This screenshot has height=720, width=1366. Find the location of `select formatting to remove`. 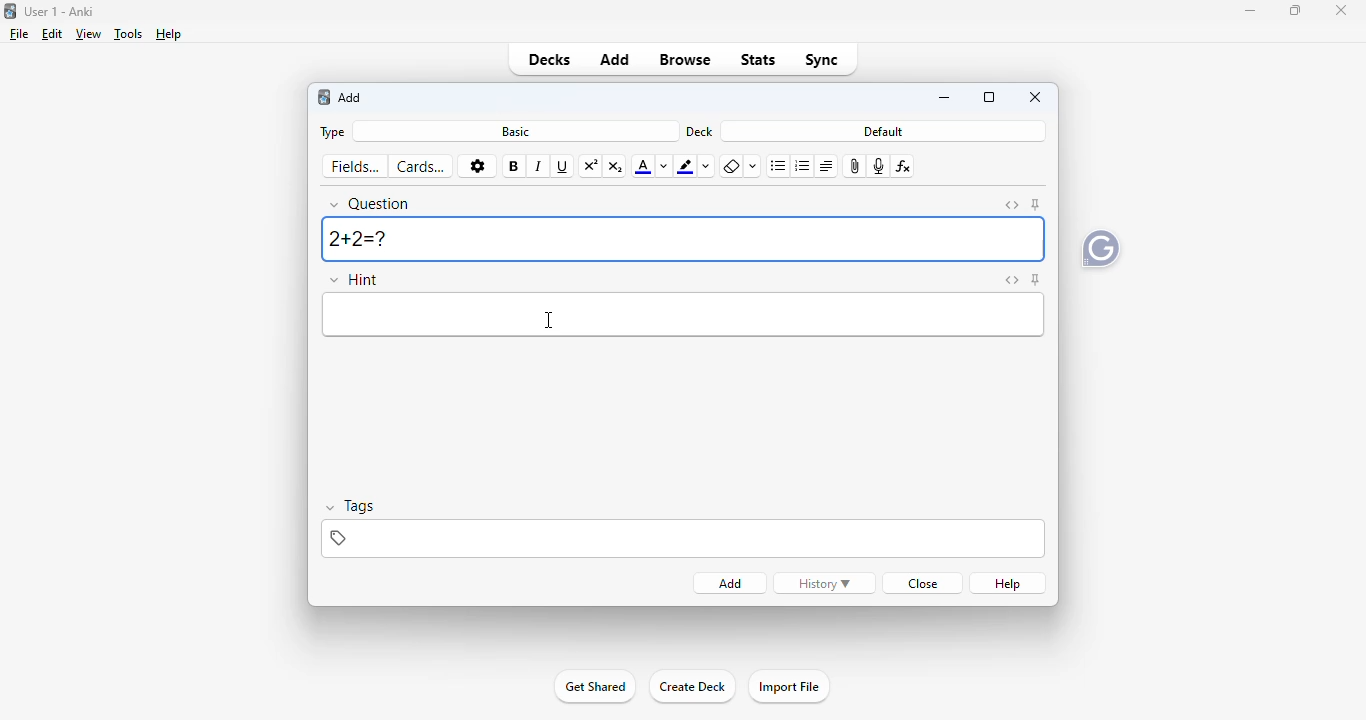

select formatting to remove is located at coordinates (754, 167).